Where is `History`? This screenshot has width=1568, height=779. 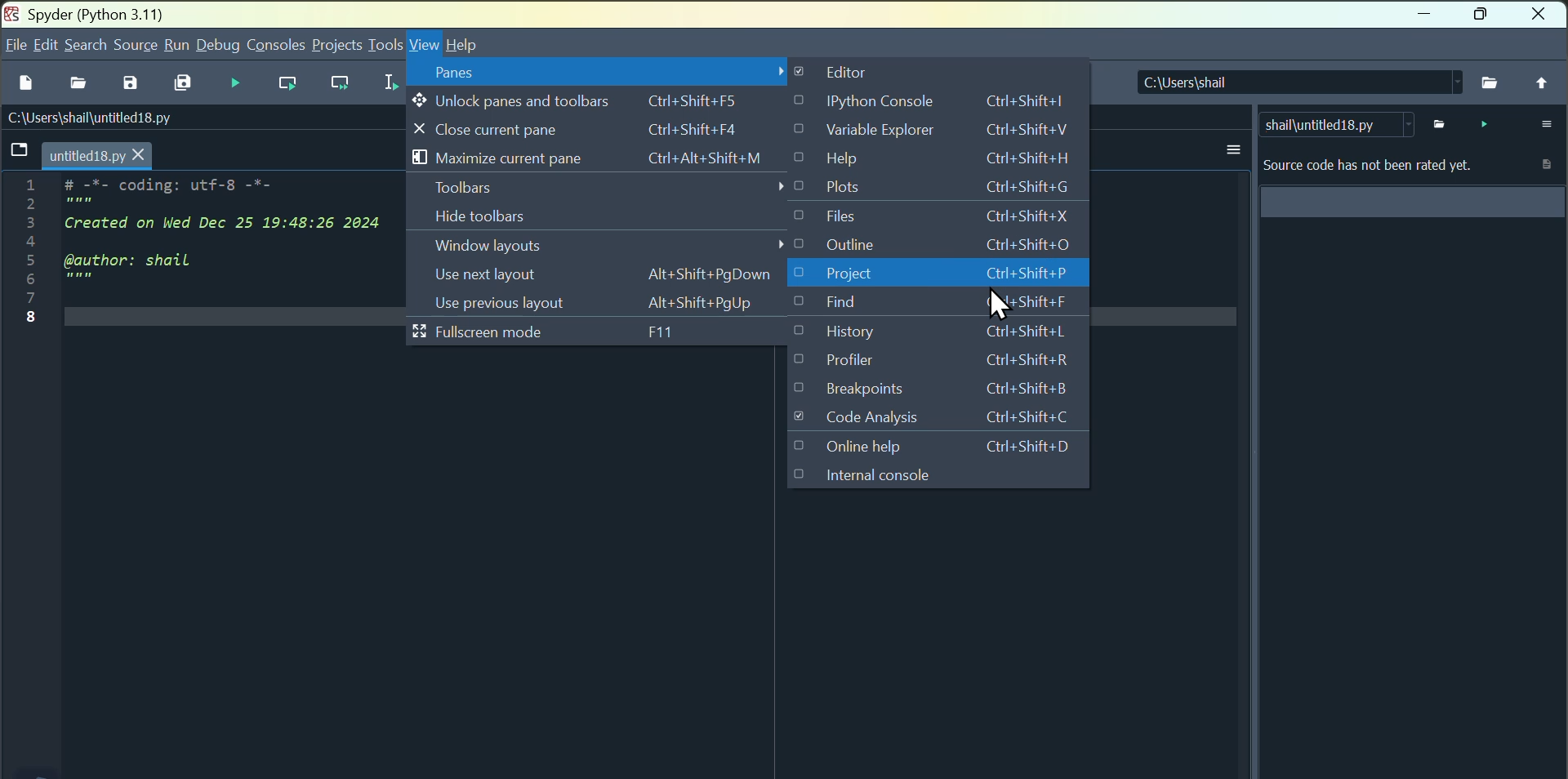 History is located at coordinates (946, 334).